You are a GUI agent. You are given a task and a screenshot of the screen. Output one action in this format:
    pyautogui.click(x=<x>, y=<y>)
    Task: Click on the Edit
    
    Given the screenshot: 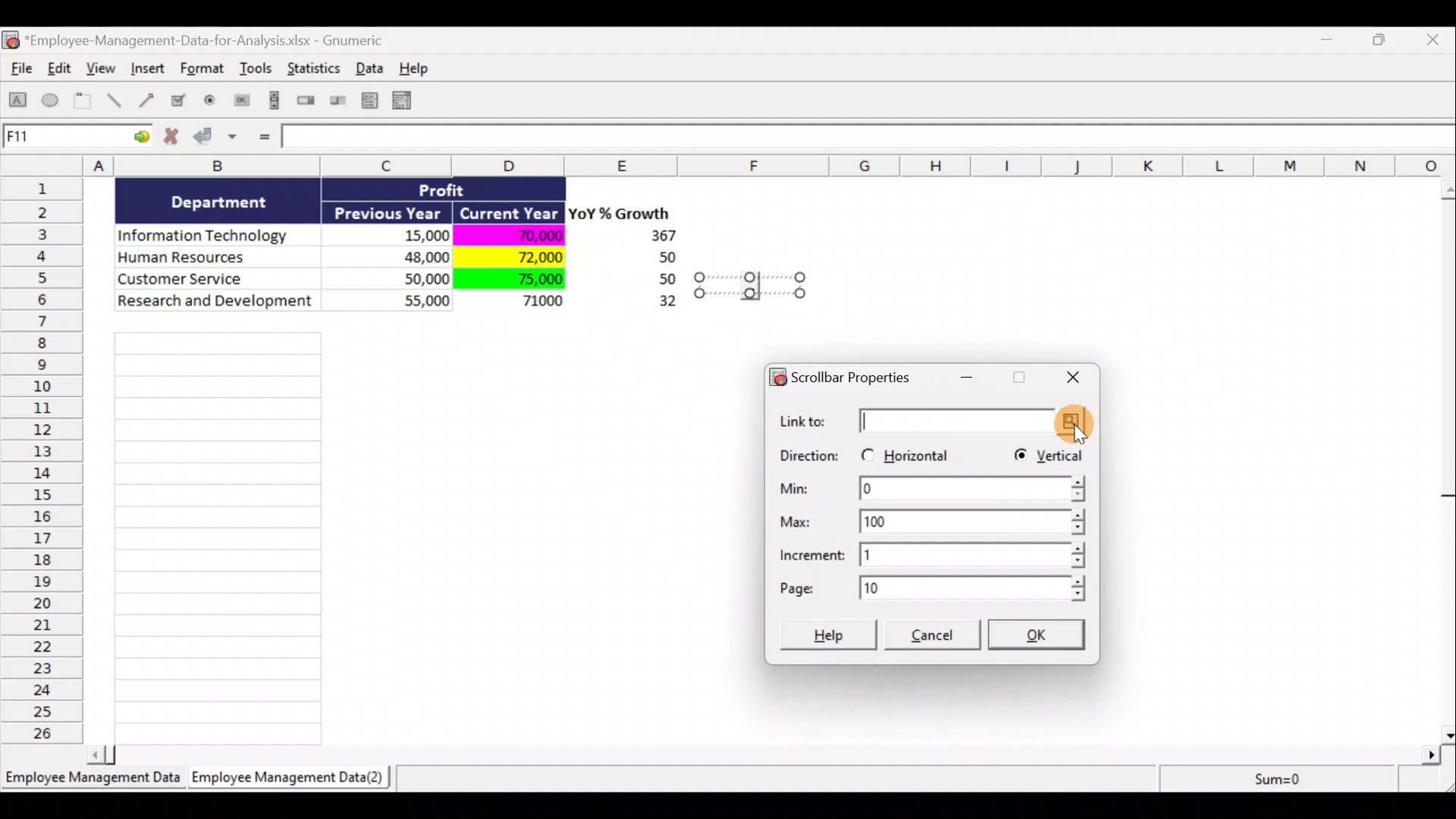 What is the action you would take?
    pyautogui.click(x=61, y=70)
    